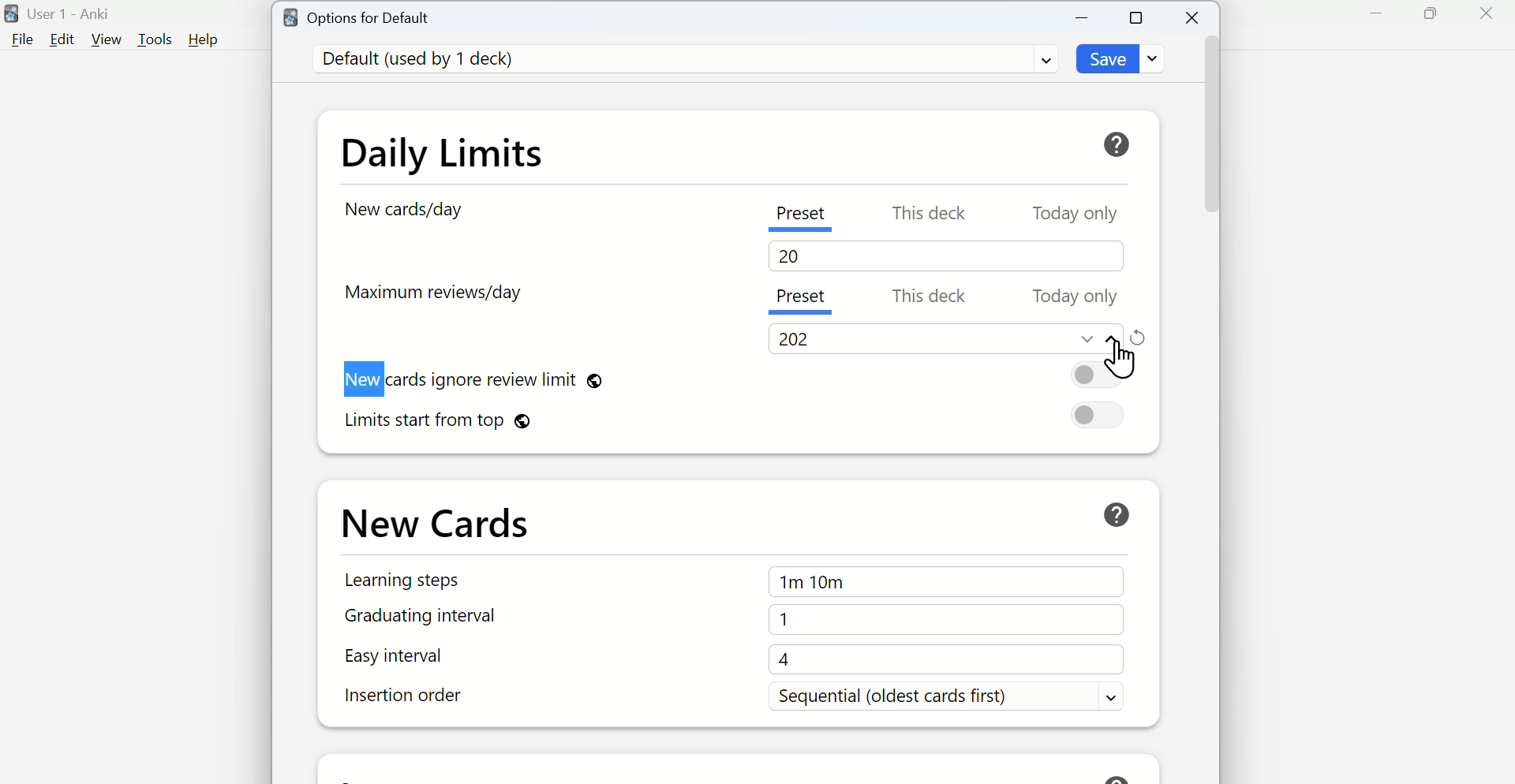  Describe the element at coordinates (408, 696) in the screenshot. I see `Insertion order` at that location.